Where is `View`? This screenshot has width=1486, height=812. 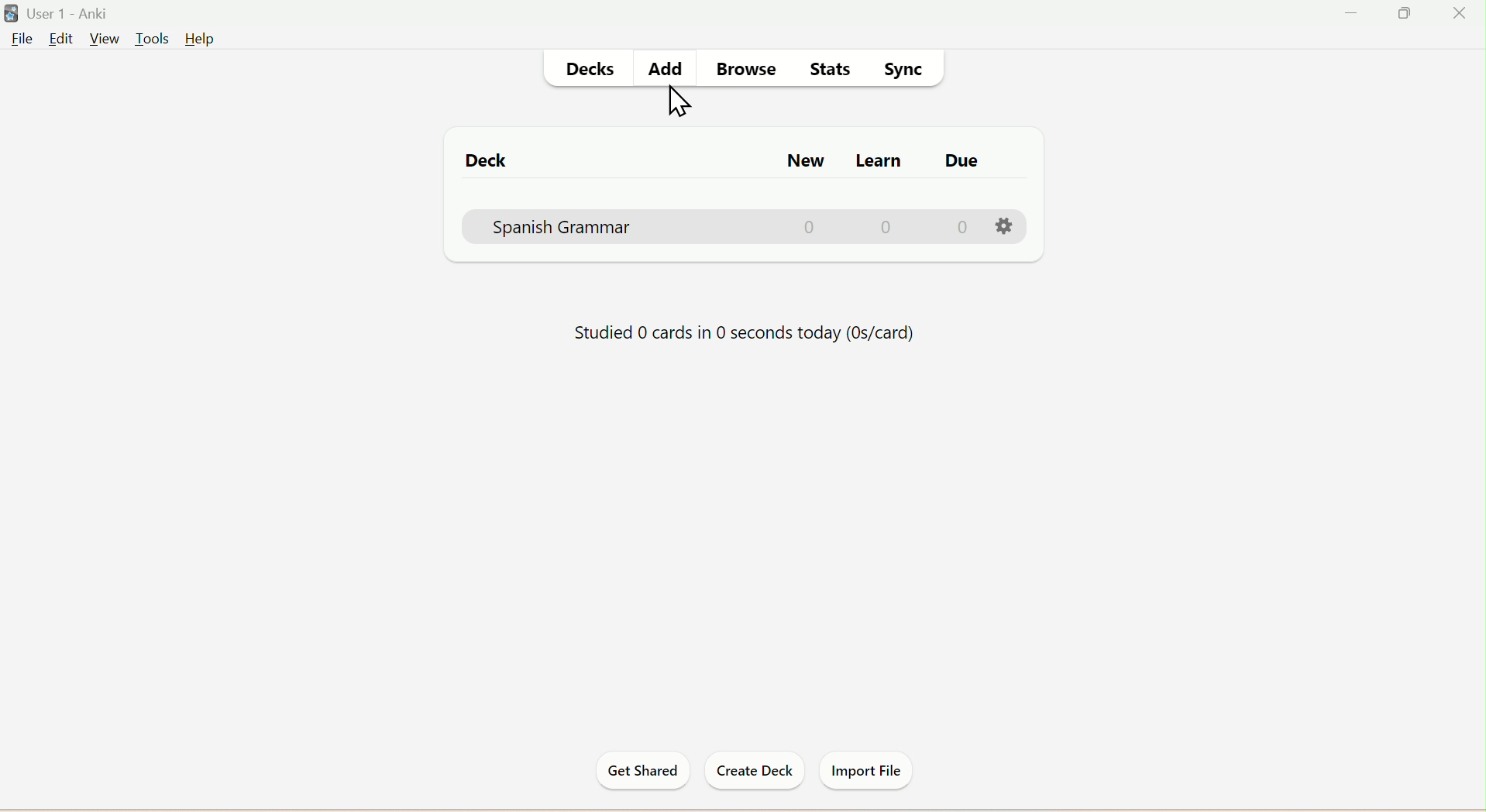 View is located at coordinates (102, 39).